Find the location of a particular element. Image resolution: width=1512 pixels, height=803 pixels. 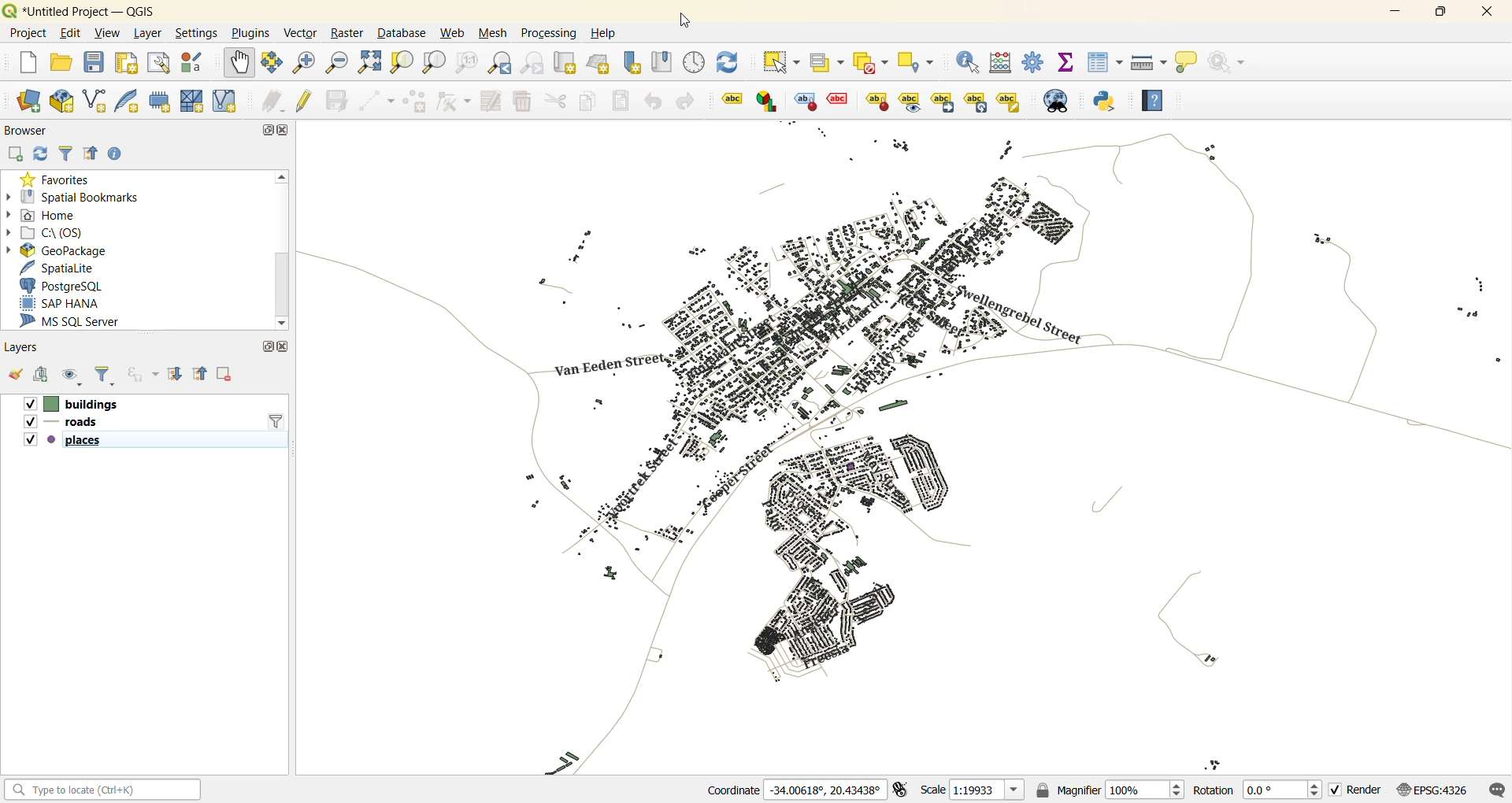

minimize/maximize is located at coordinates (1440, 14).